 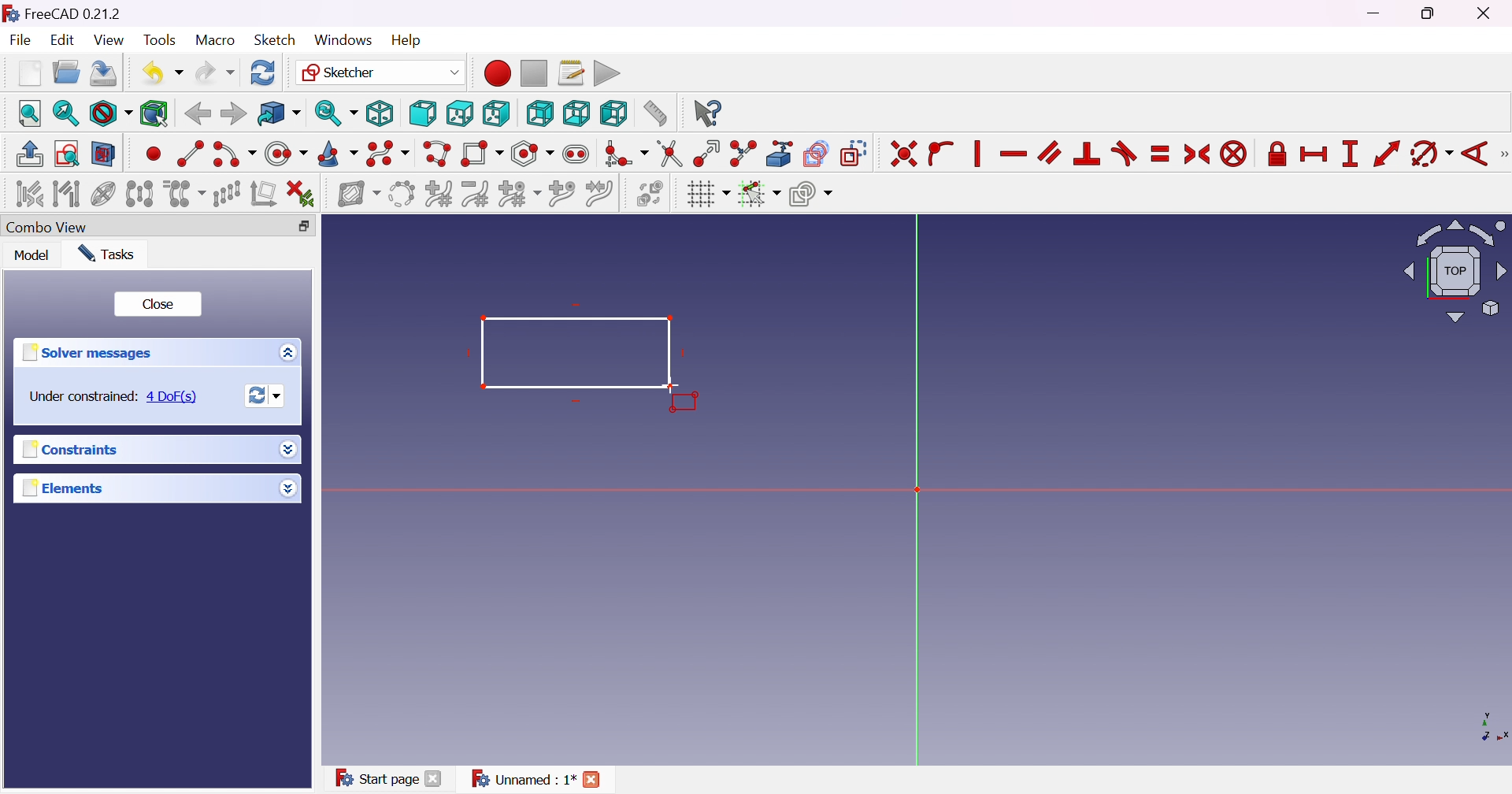 I want to click on Rear, so click(x=540, y=114).